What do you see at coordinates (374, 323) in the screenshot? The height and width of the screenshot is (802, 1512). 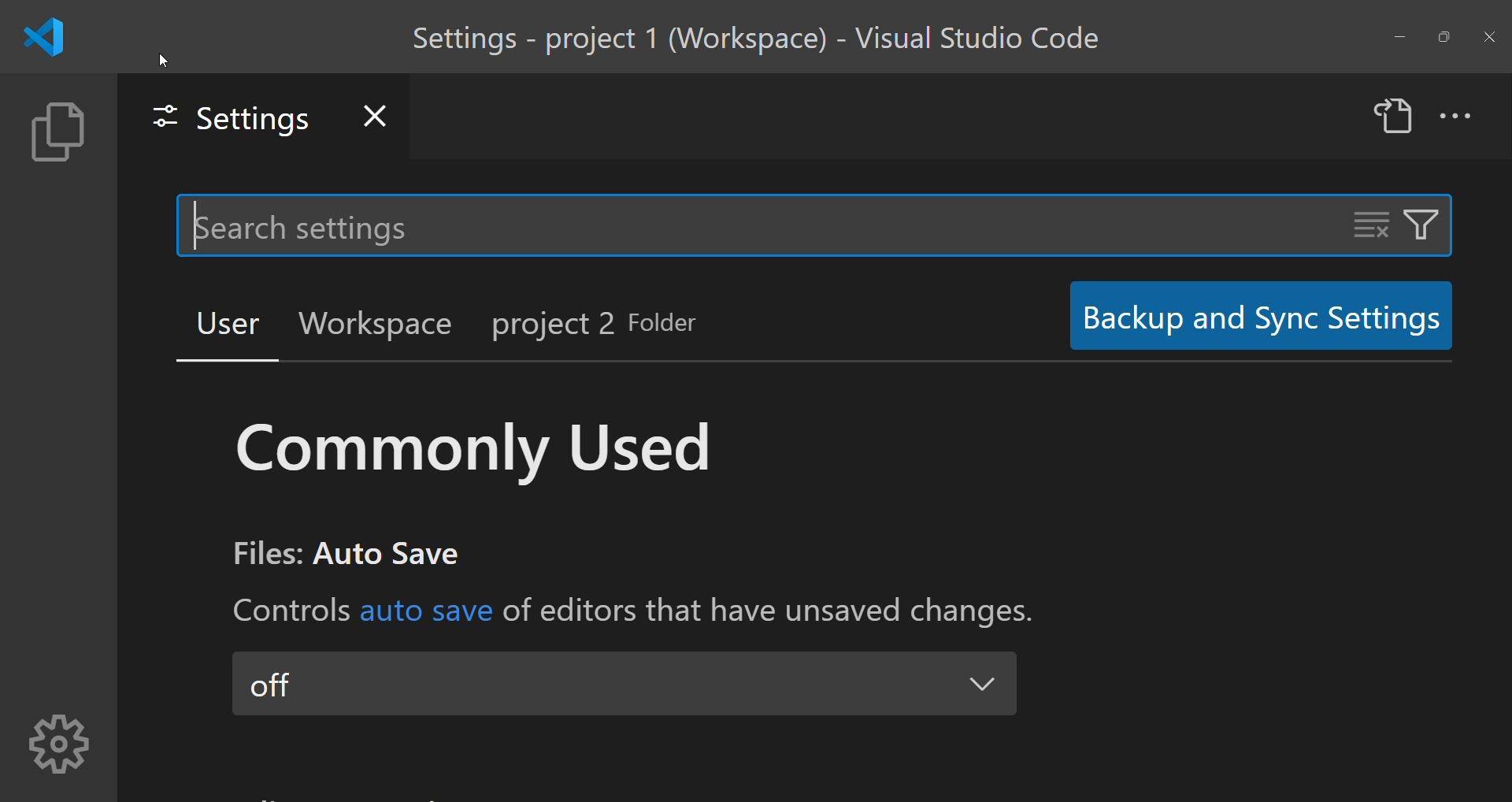 I see `workplace` at bounding box center [374, 323].